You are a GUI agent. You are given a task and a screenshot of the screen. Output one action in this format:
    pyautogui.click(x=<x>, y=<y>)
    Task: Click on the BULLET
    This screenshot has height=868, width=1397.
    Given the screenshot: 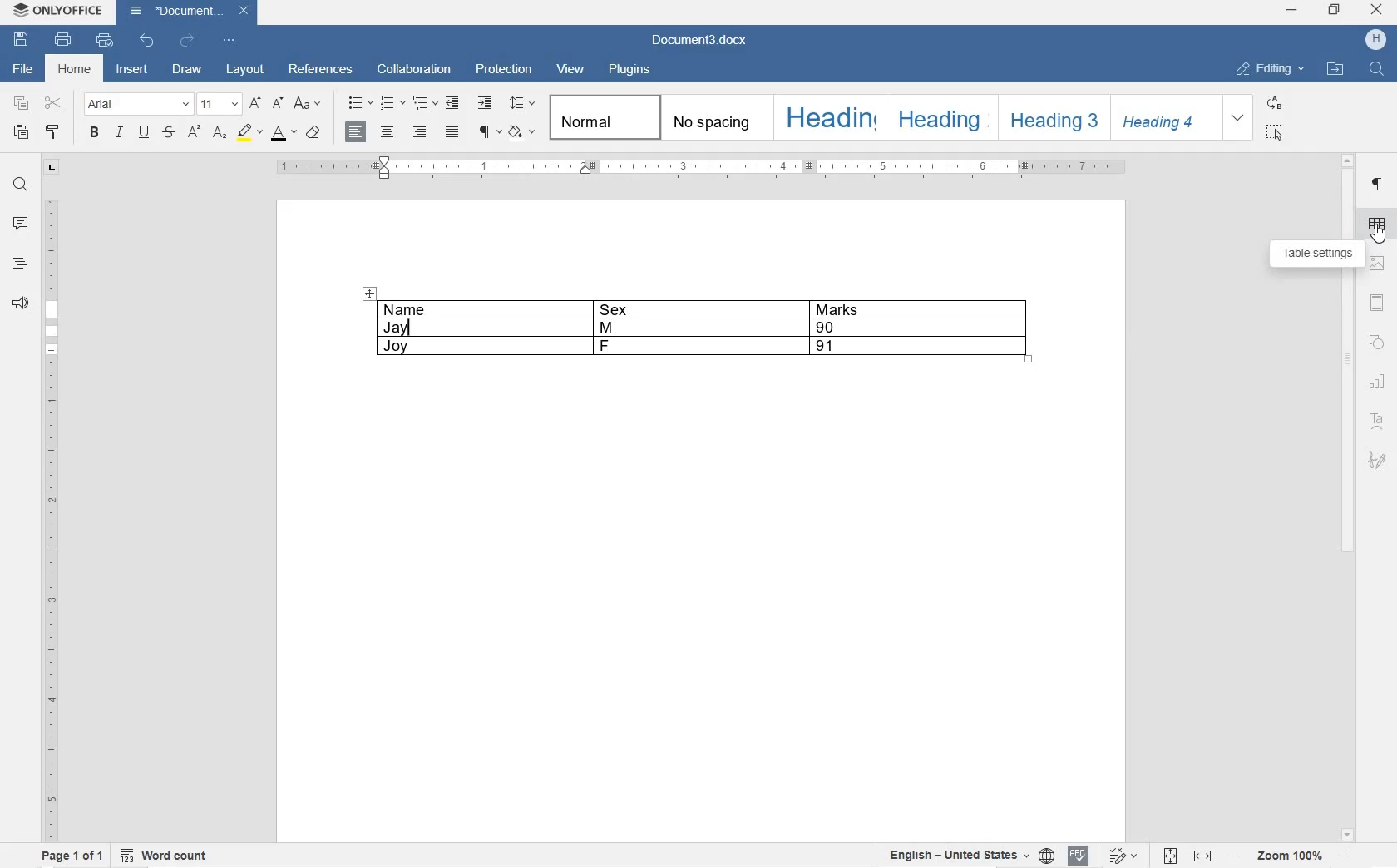 What is the action you would take?
    pyautogui.click(x=359, y=104)
    